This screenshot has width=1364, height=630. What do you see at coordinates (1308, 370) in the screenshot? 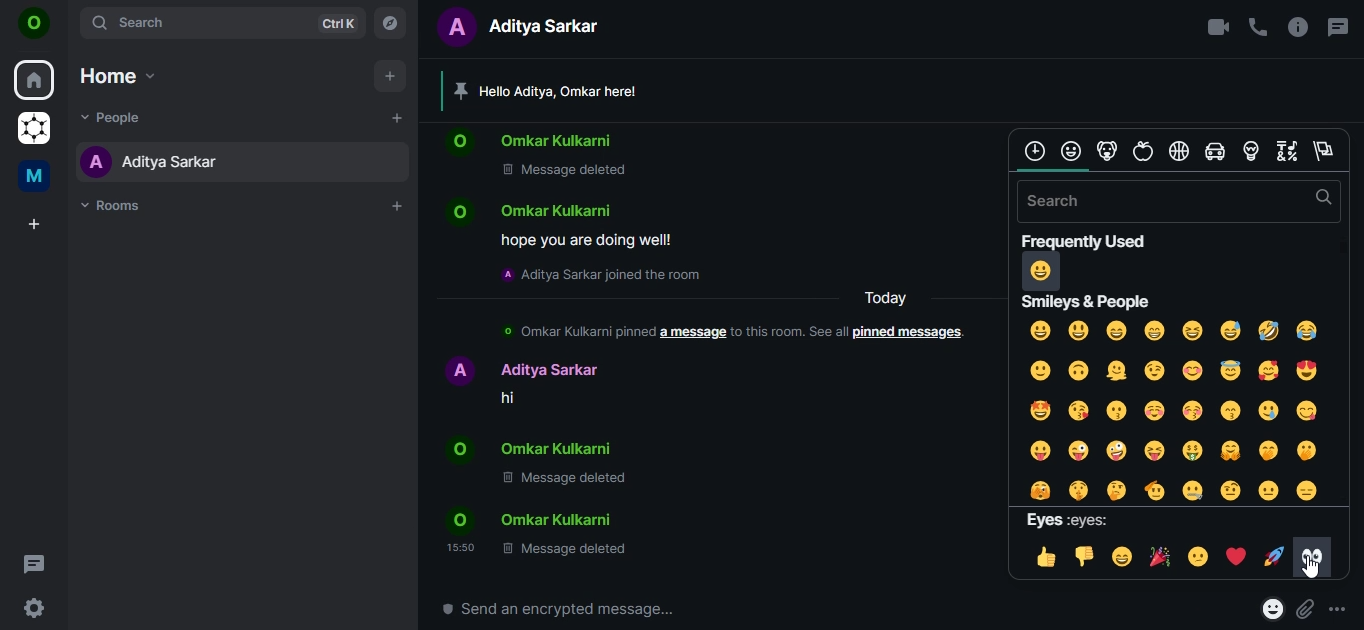
I see `smiling face with heart eyes` at bounding box center [1308, 370].